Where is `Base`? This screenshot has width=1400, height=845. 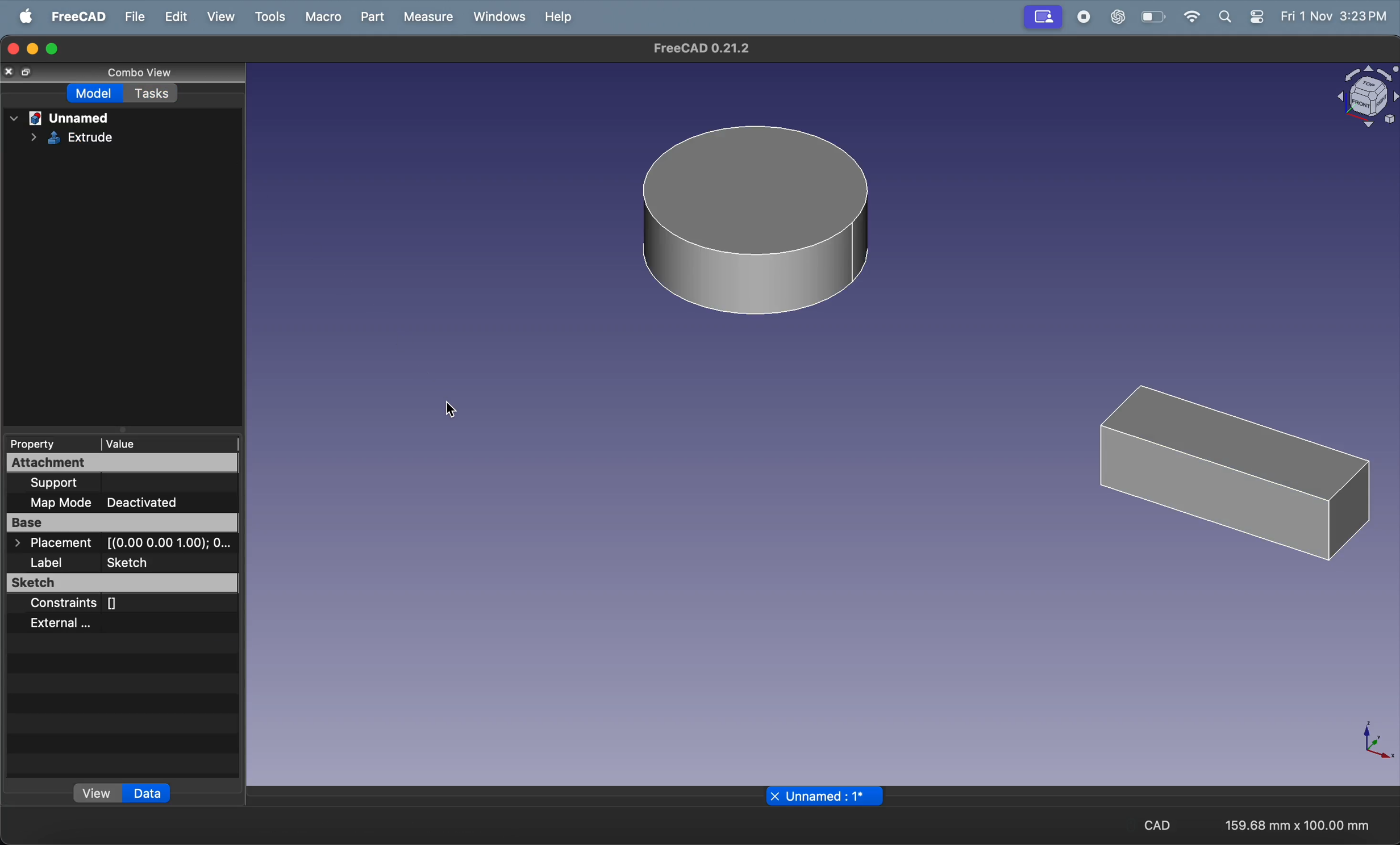
Base is located at coordinates (122, 523).